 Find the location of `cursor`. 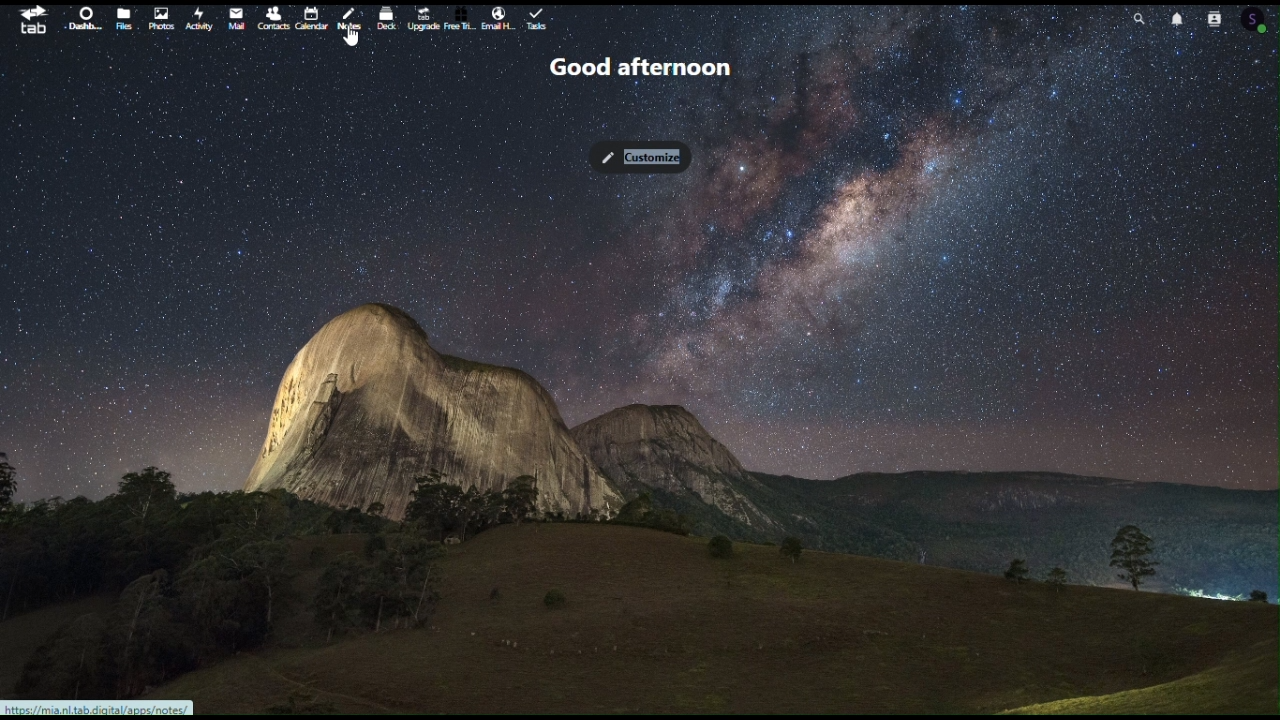

cursor is located at coordinates (353, 41).